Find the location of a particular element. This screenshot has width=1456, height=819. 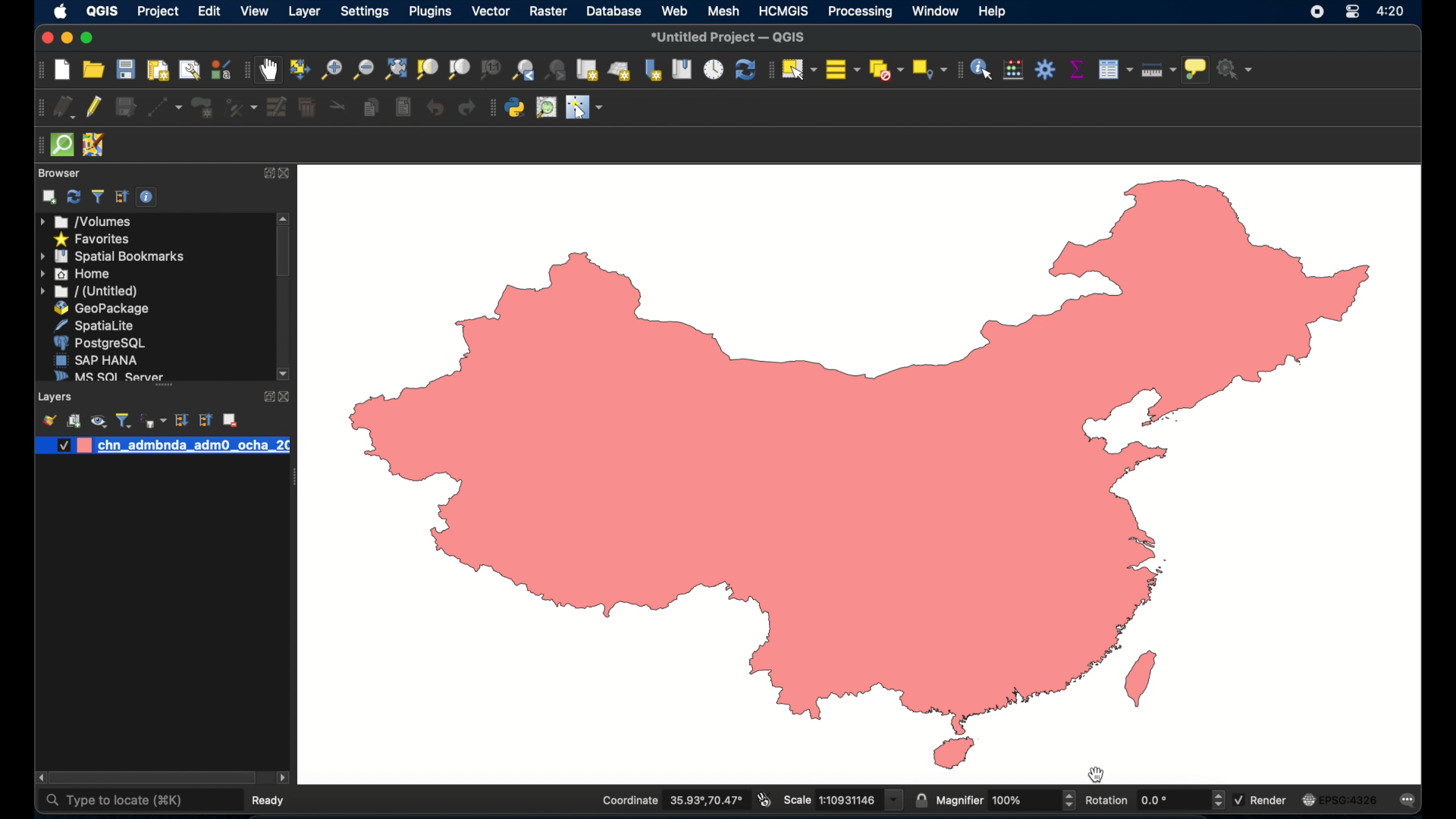

layer 1 is located at coordinates (193, 445).